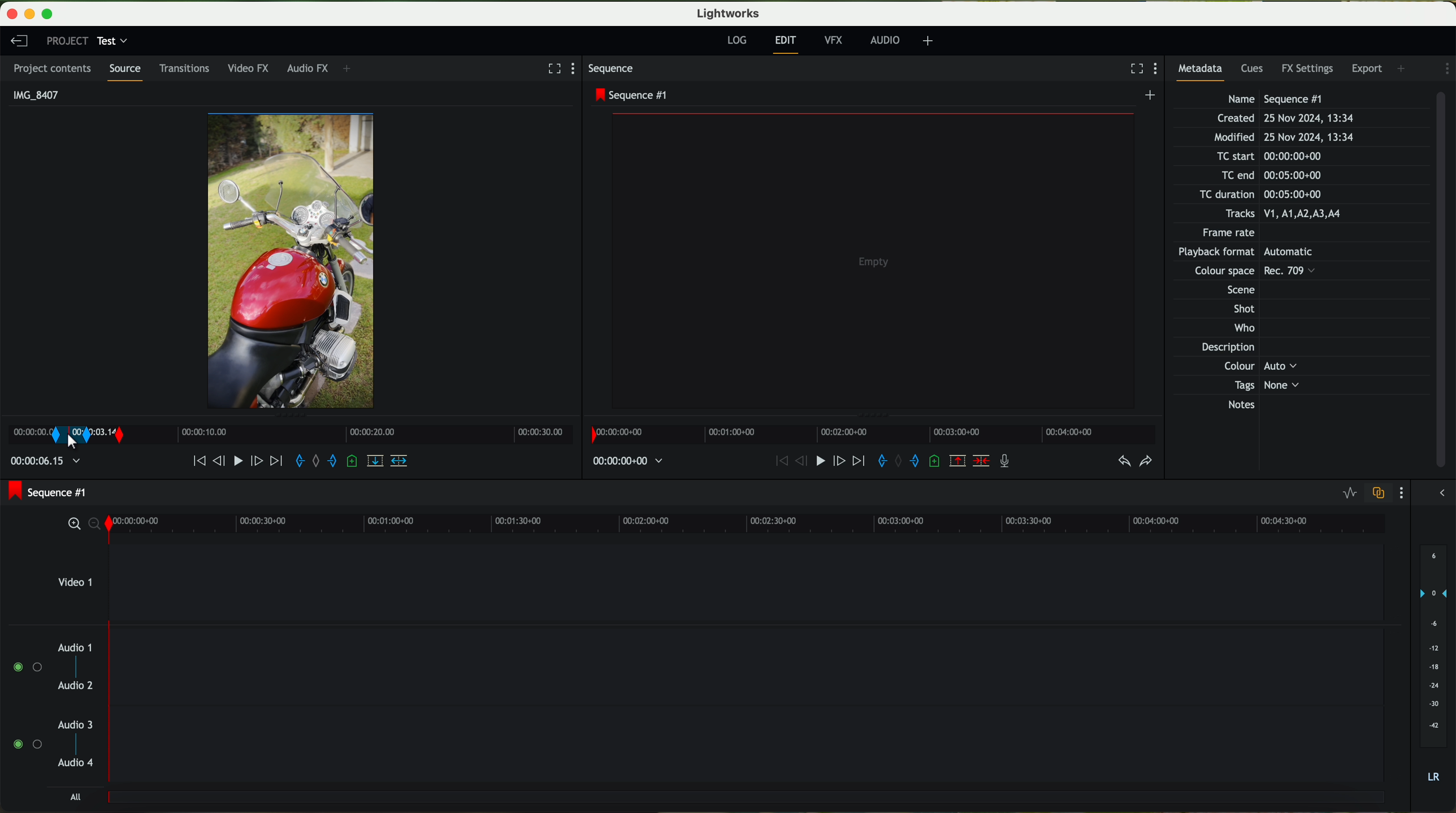 The image size is (1456, 813). Describe the element at coordinates (937, 462) in the screenshot. I see `add a cue at the current position` at that location.